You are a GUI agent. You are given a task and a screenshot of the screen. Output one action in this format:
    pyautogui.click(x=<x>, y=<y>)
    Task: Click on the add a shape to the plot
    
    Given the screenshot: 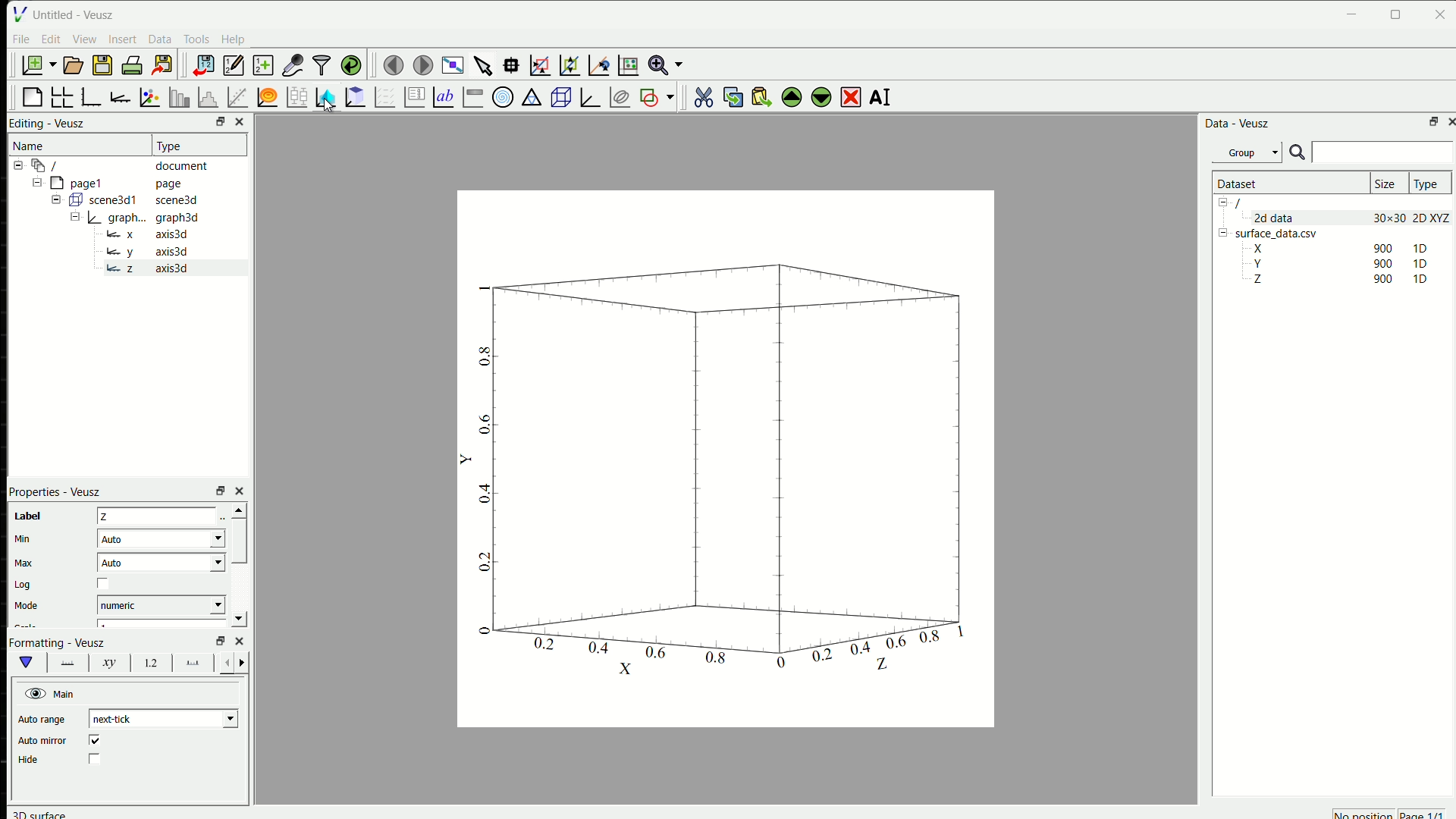 What is the action you would take?
    pyautogui.click(x=657, y=96)
    